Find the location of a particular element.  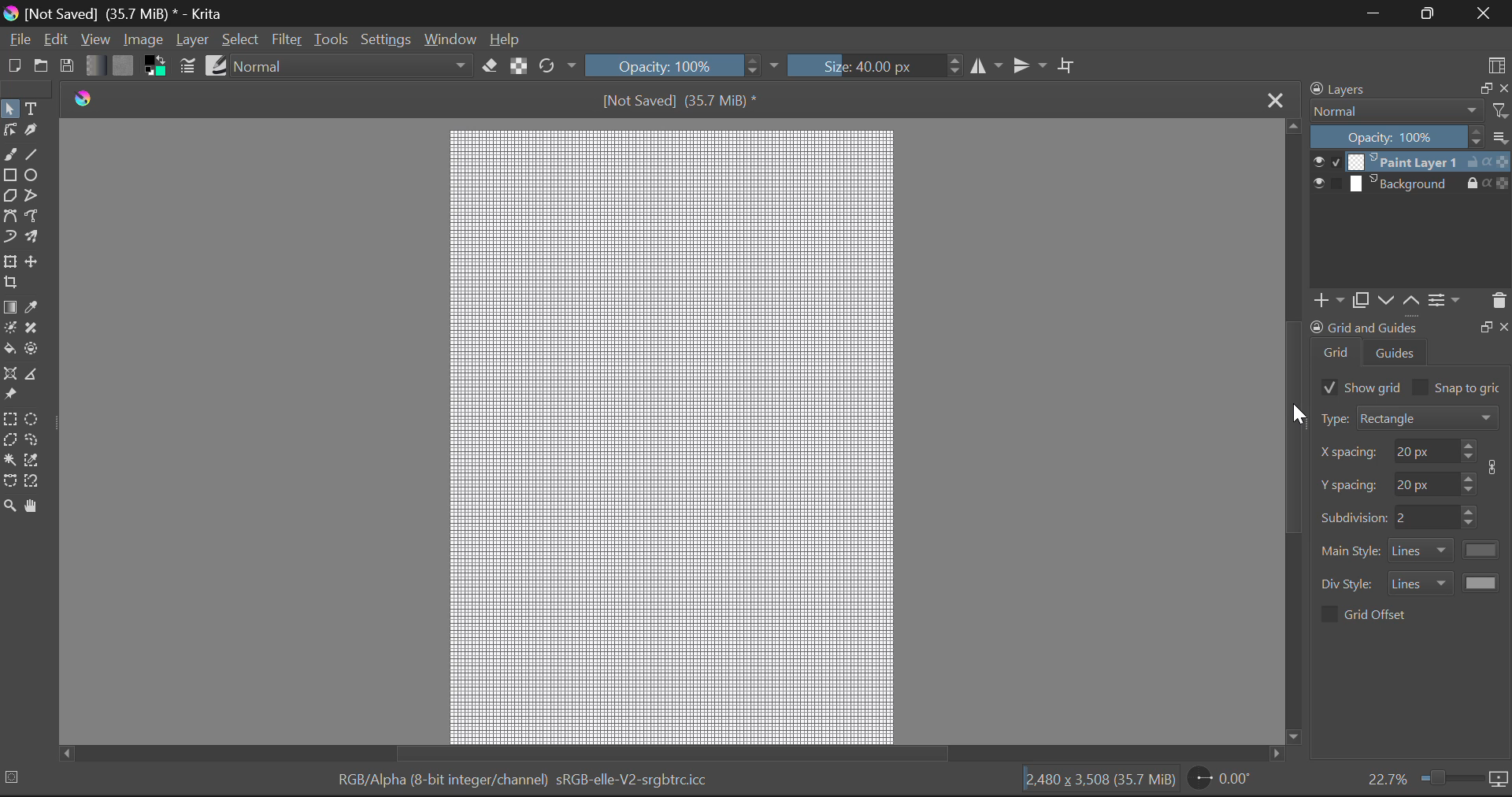

Measurements is located at coordinates (36, 376).